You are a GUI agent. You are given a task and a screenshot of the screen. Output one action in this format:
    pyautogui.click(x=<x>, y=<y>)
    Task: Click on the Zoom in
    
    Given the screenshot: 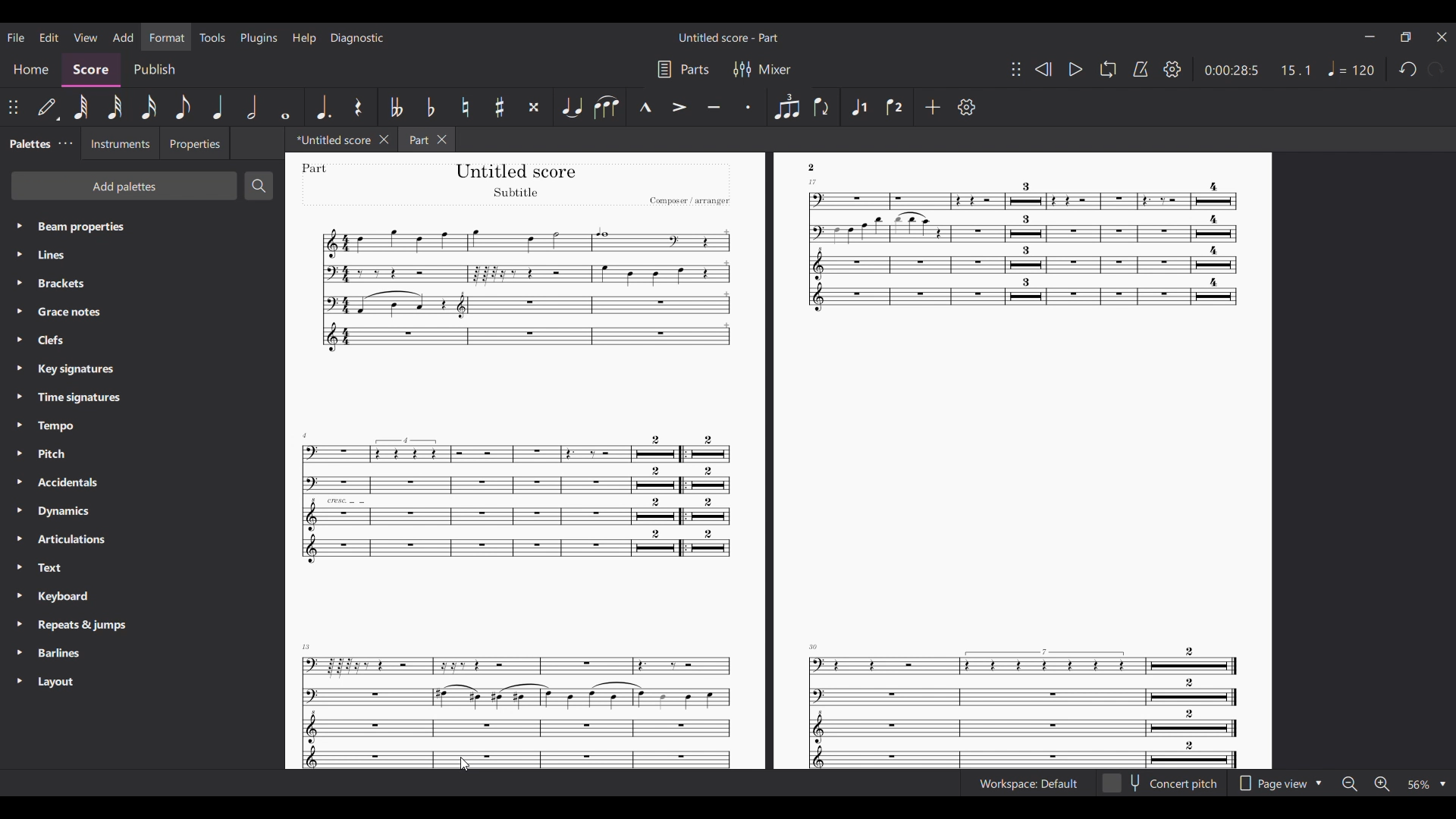 What is the action you would take?
    pyautogui.click(x=1382, y=784)
    